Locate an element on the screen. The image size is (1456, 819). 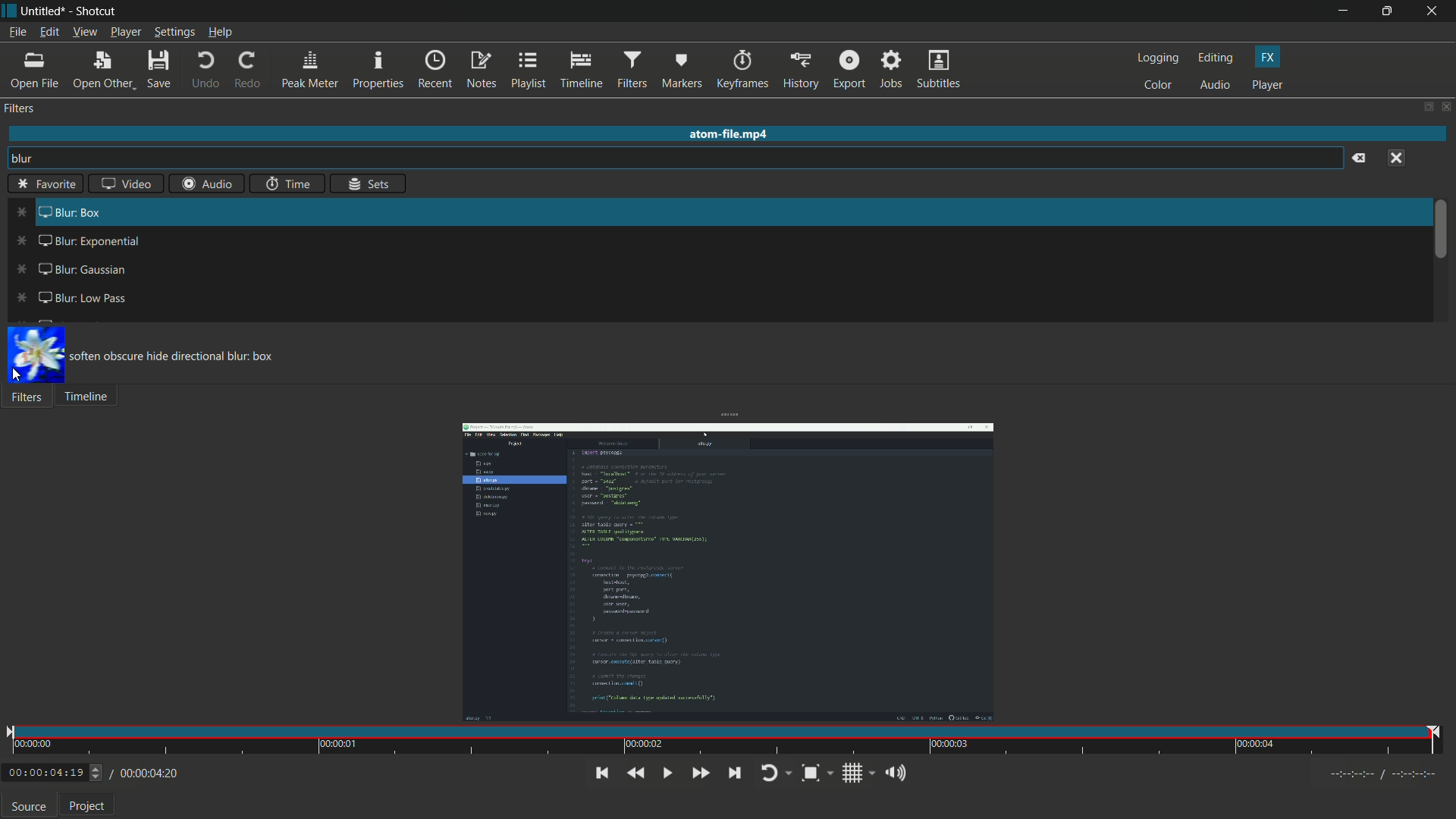
quickly play backward is located at coordinates (635, 773).